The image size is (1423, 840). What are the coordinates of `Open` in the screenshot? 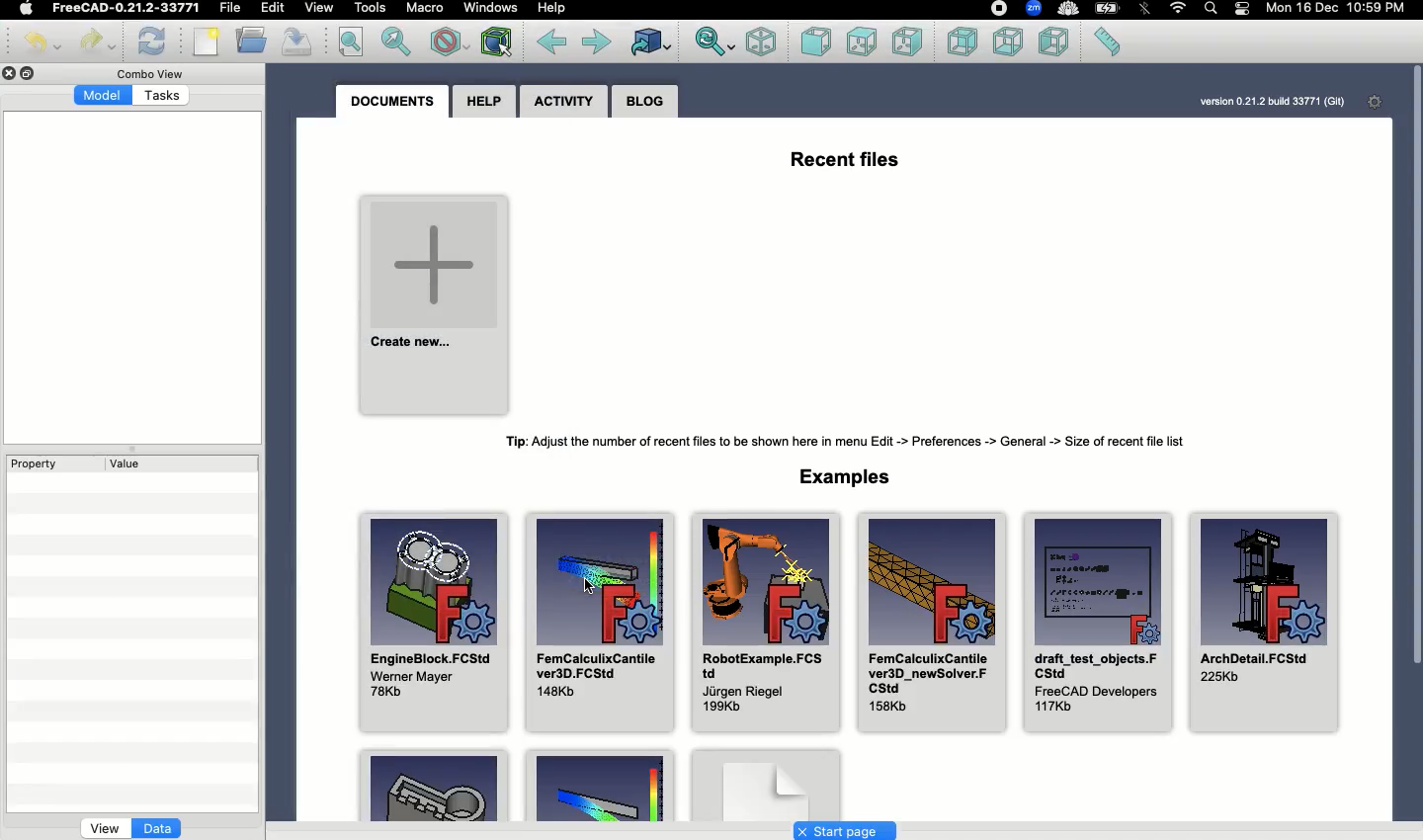 It's located at (253, 41).